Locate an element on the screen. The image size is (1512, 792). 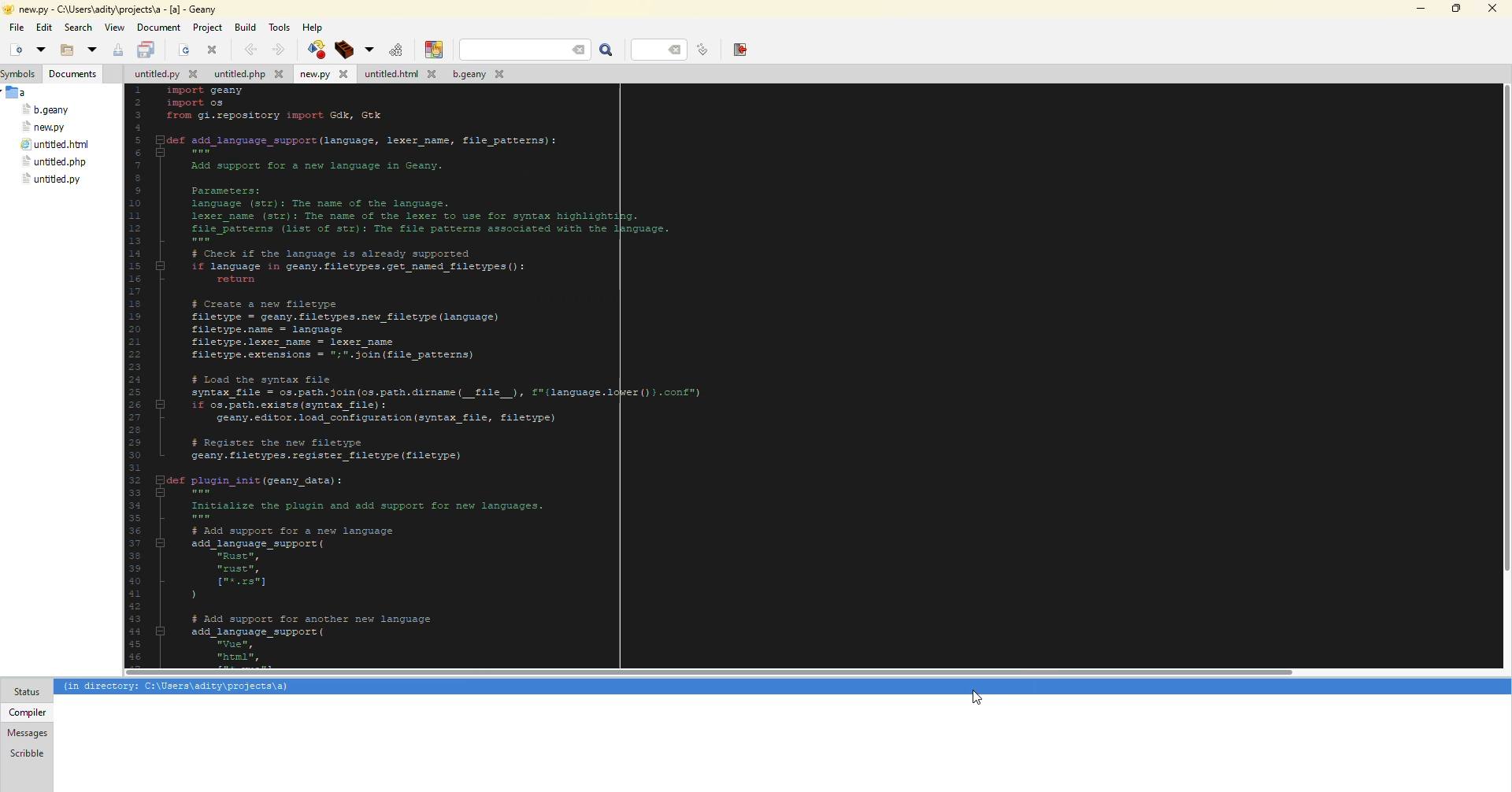
open is located at coordinates (39, 49).